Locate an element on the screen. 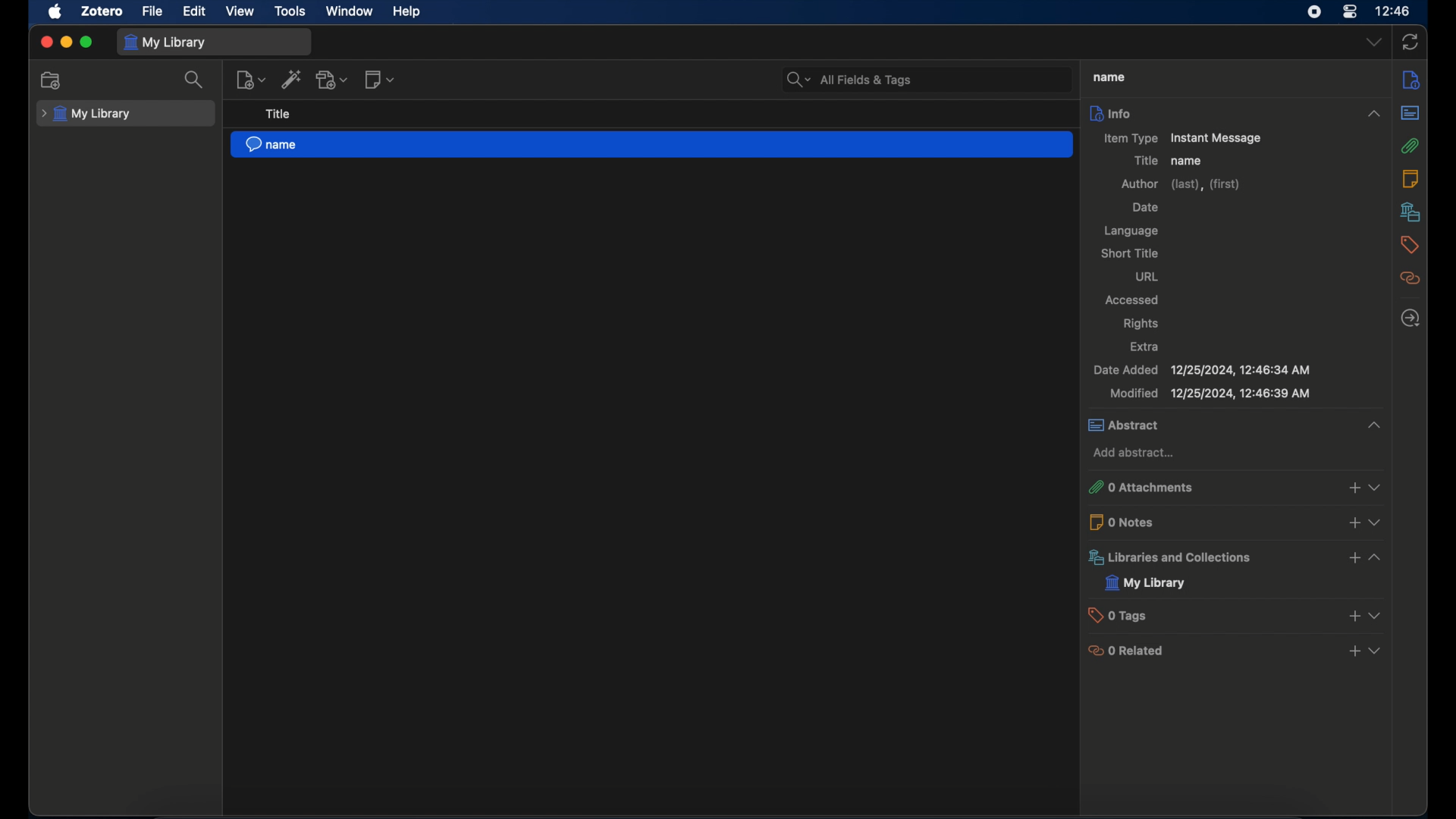 The width and height of the screenshot is (1456, 819). new item is located at coordinates (251, 80).